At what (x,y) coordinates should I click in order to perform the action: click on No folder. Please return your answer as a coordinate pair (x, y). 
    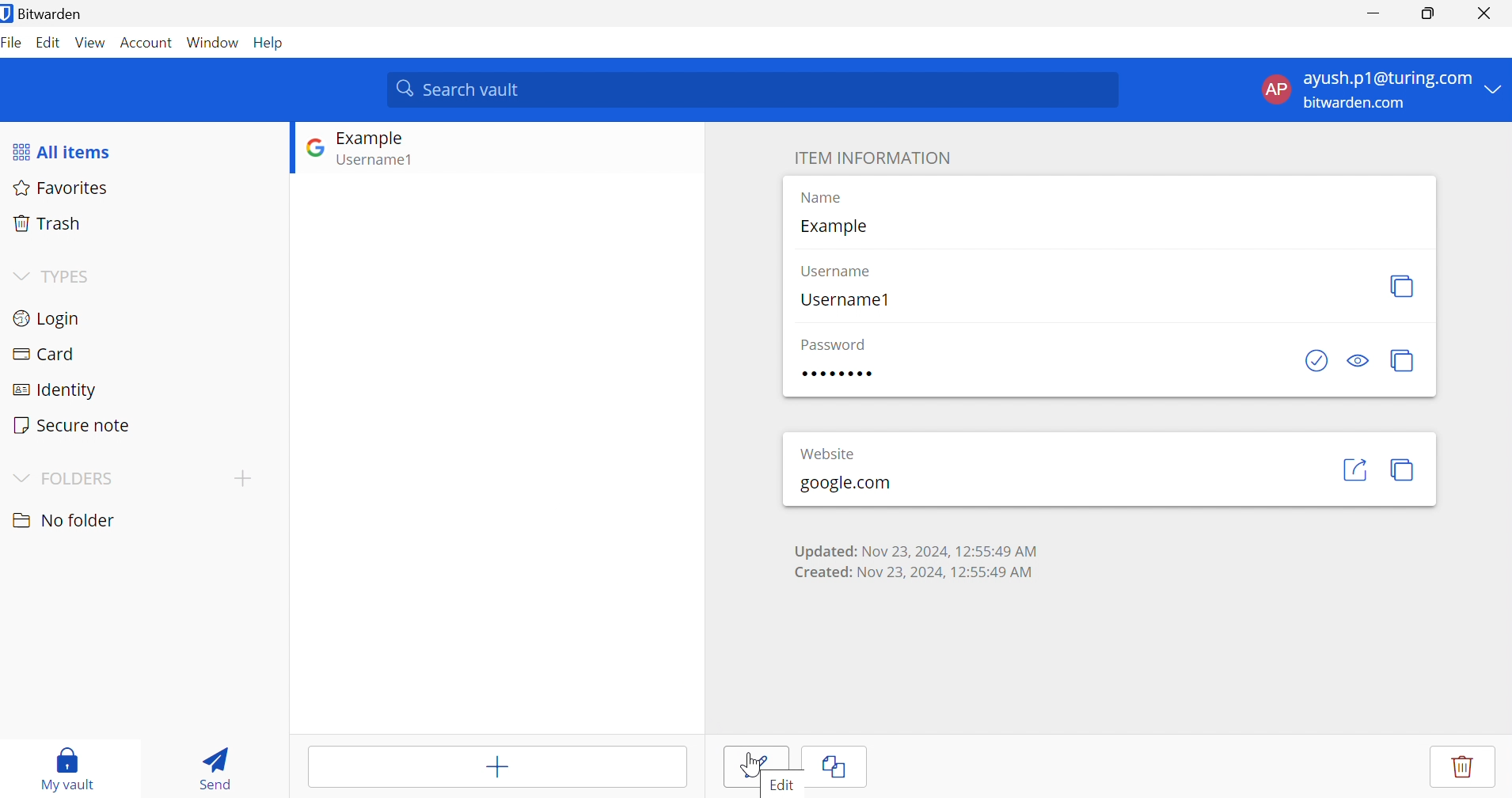
    Looking at the image, I should click on (62, 520).